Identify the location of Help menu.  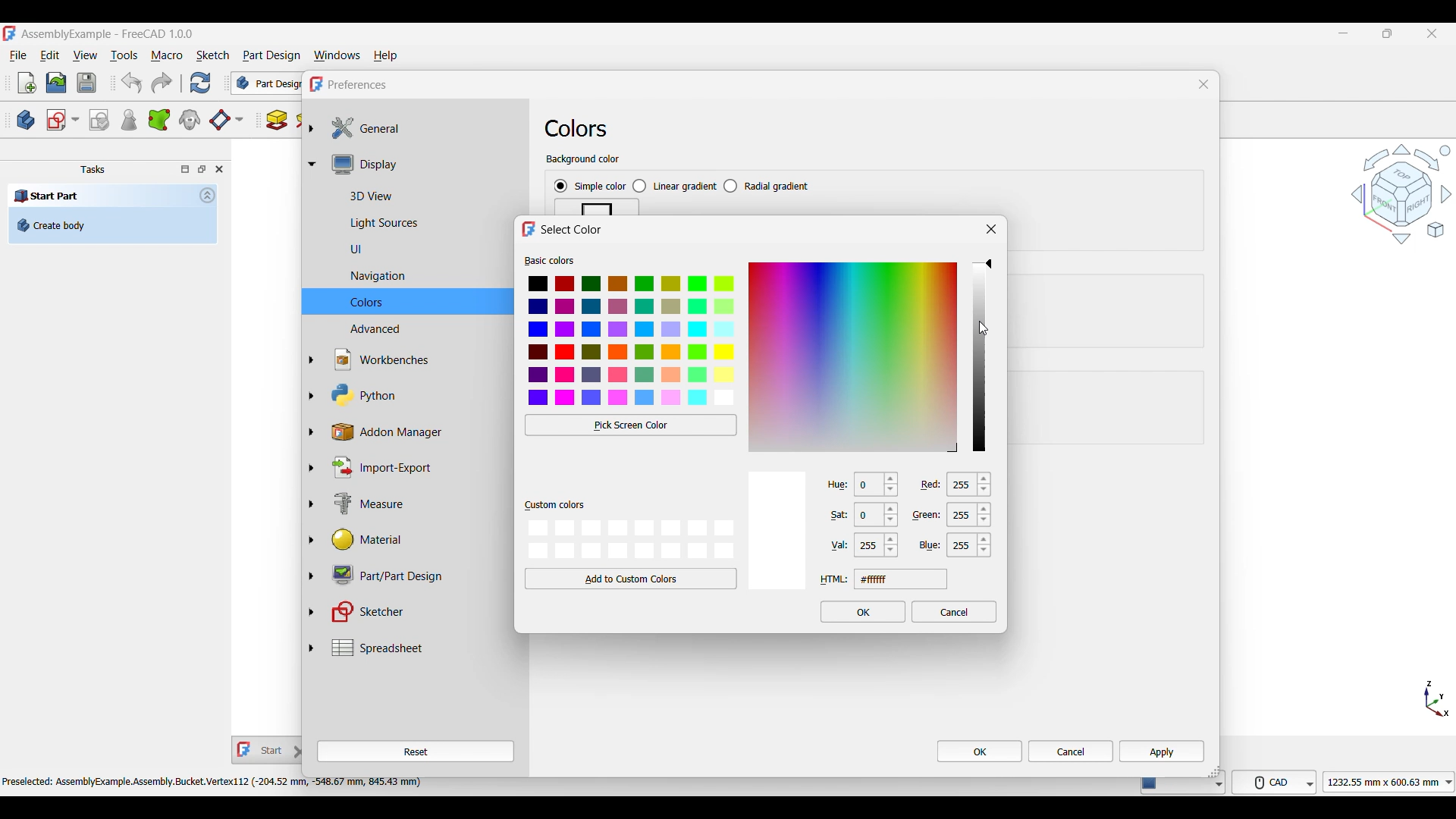
(386, 56).